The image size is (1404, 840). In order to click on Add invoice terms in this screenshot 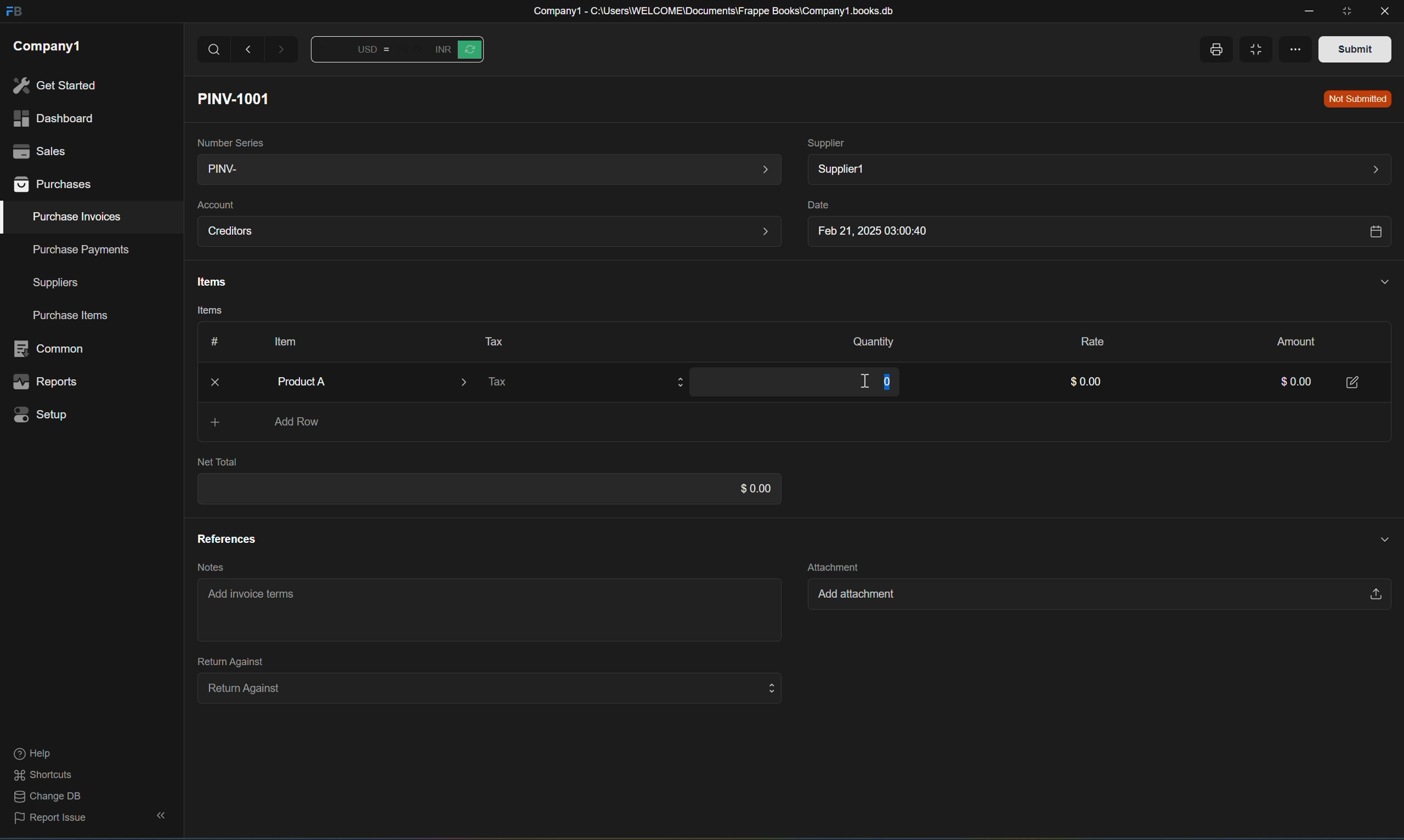, I will do `click(256, 598)`.